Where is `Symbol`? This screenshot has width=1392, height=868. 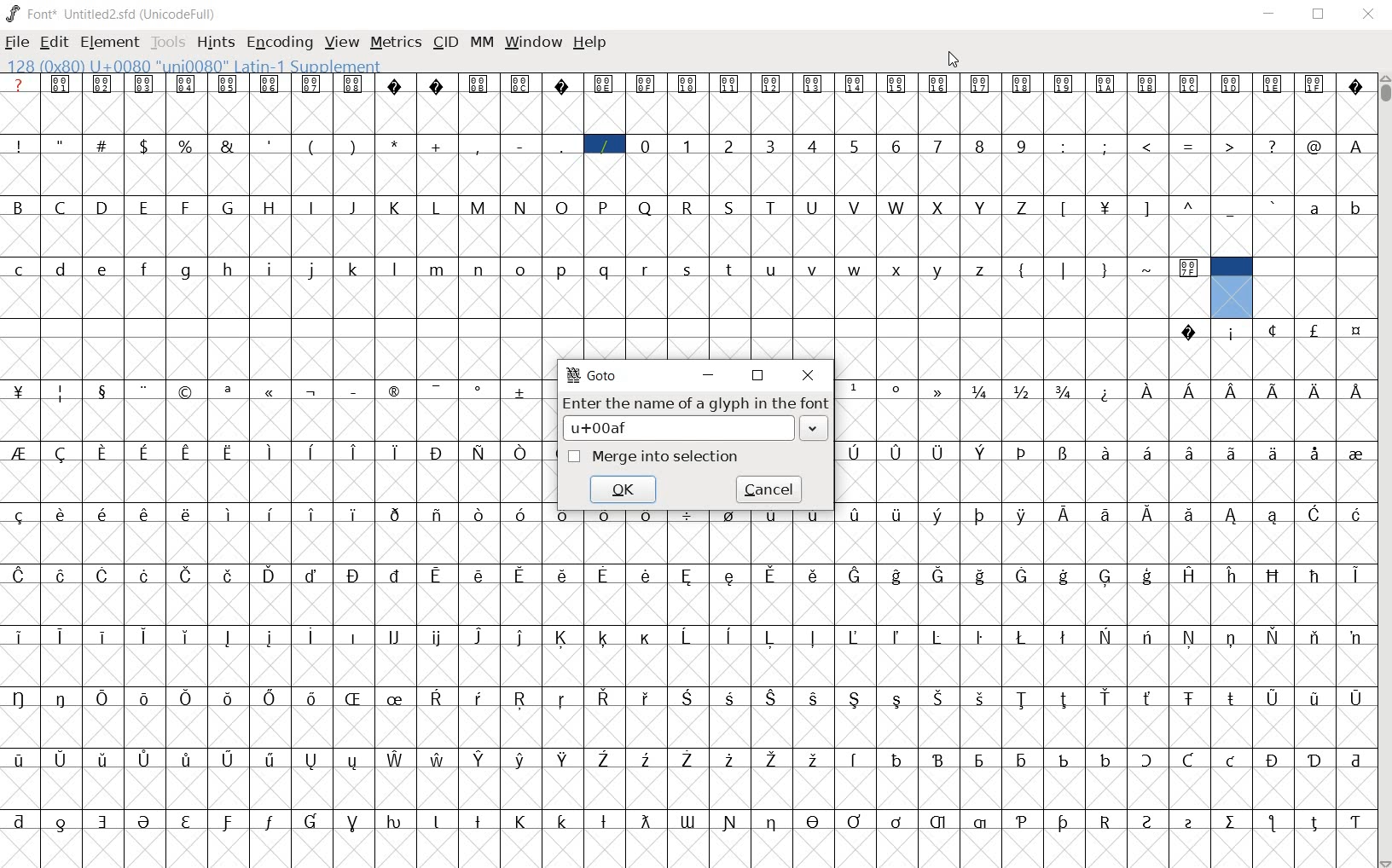
Symbol is located at coordinates (1272, 84).